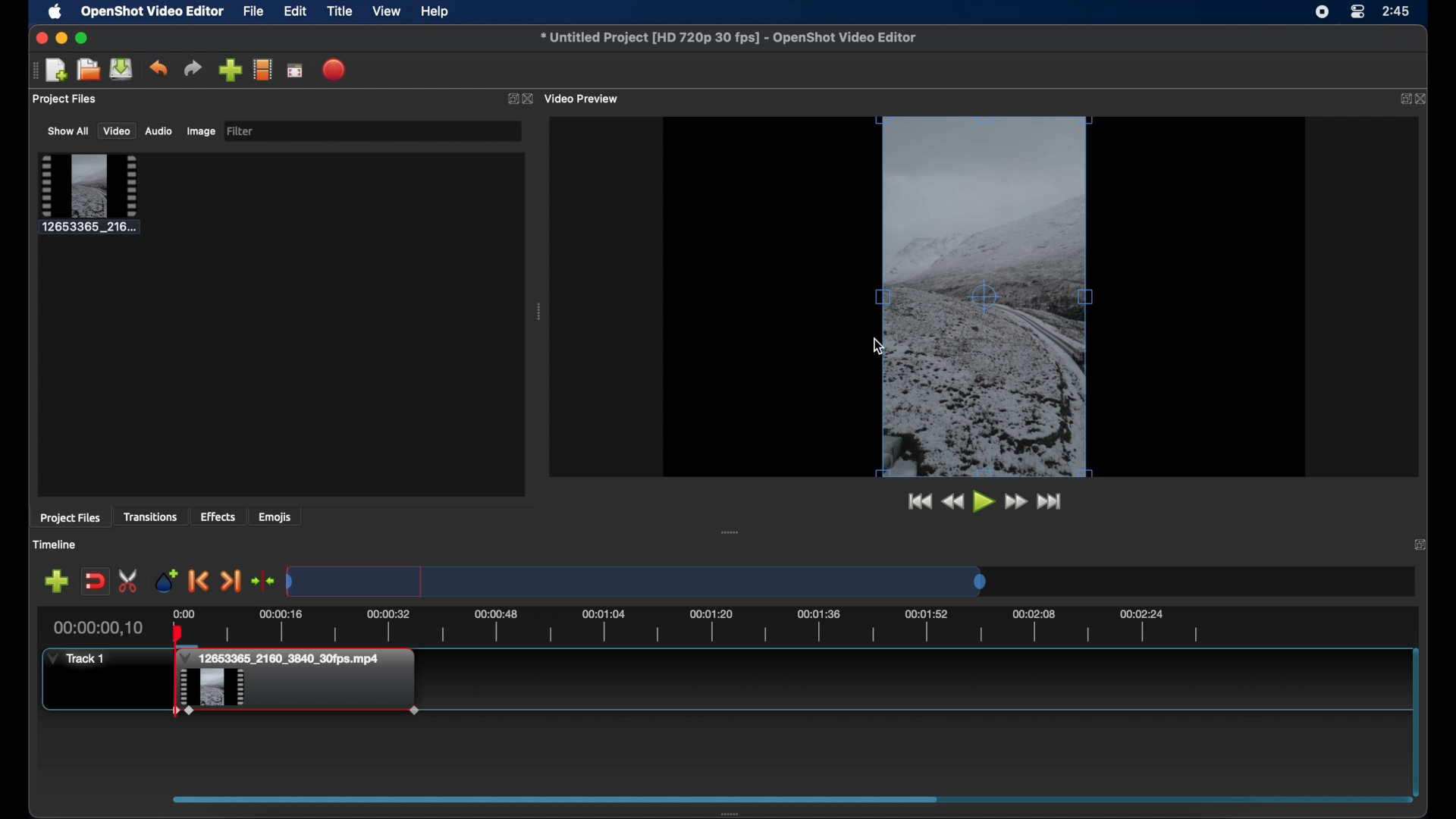 Image resolution: width=1456 pixels, height=819 pixels. Describe the element at coordinates (880, 347) in the screenshot. I see `cursor` at that location.